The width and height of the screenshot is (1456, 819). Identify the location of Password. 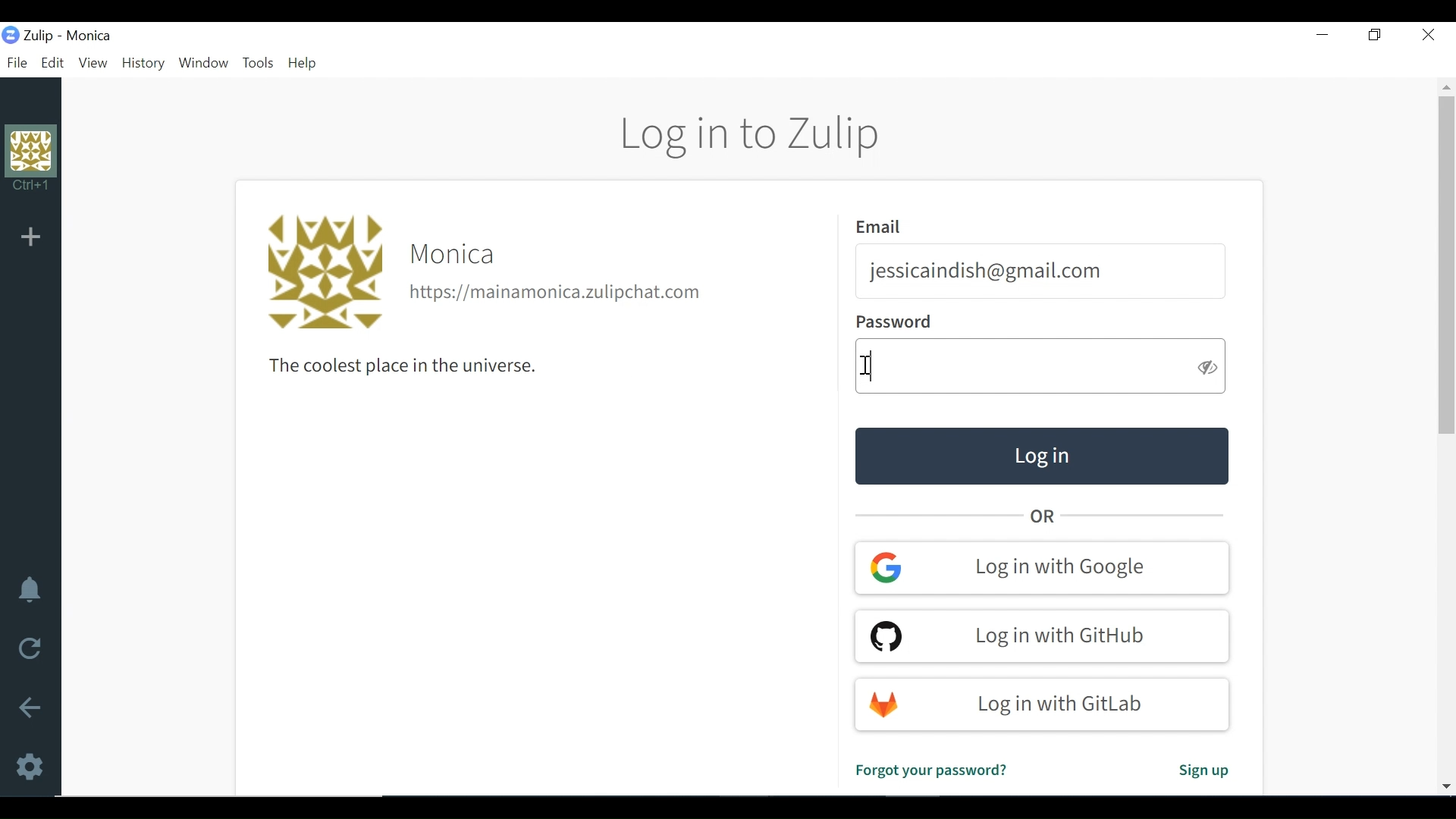
(893, 323).